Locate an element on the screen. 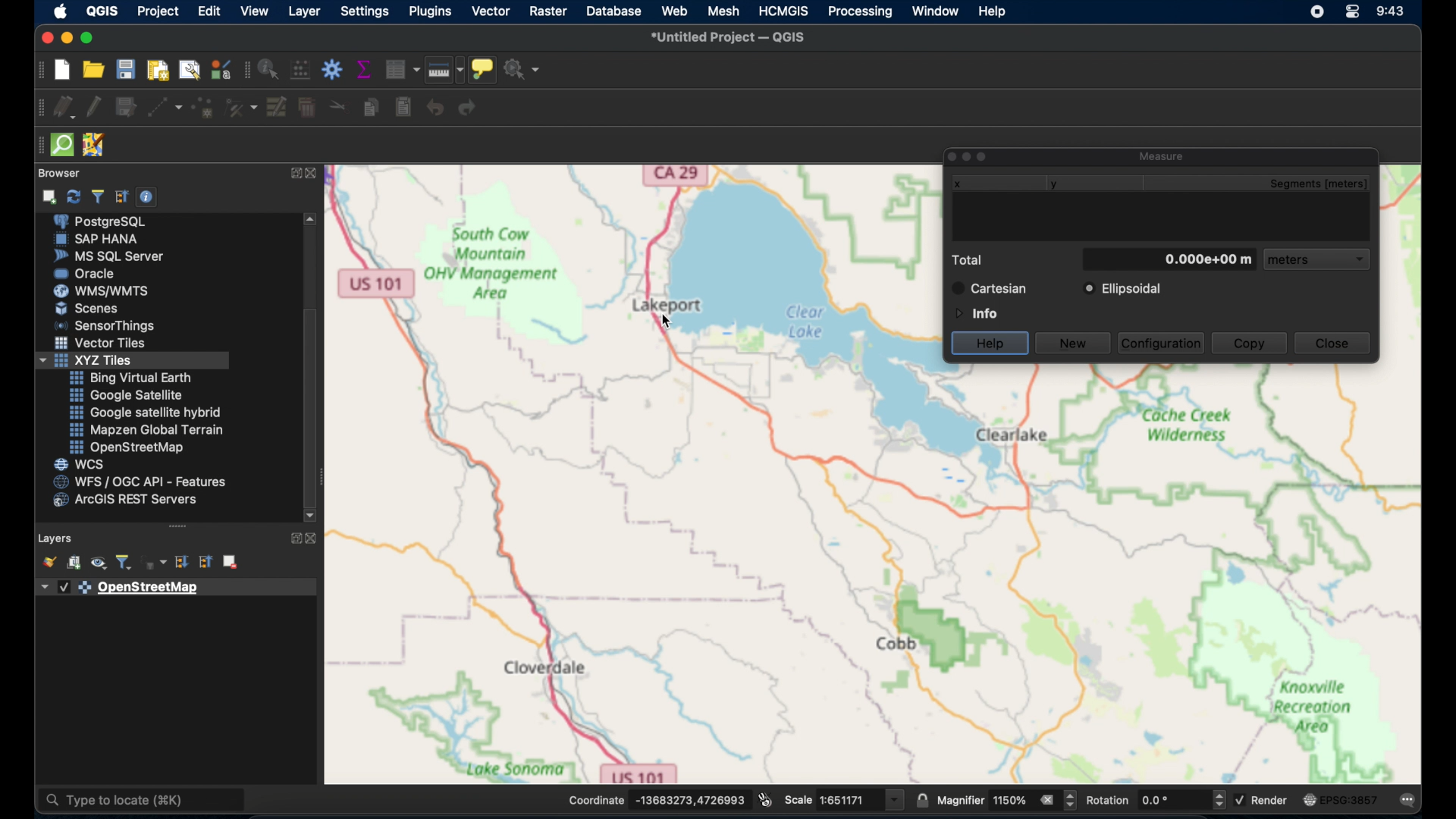 The height and width of the screenshot is (819, 1456). add group is located at coordinates (74, 564).